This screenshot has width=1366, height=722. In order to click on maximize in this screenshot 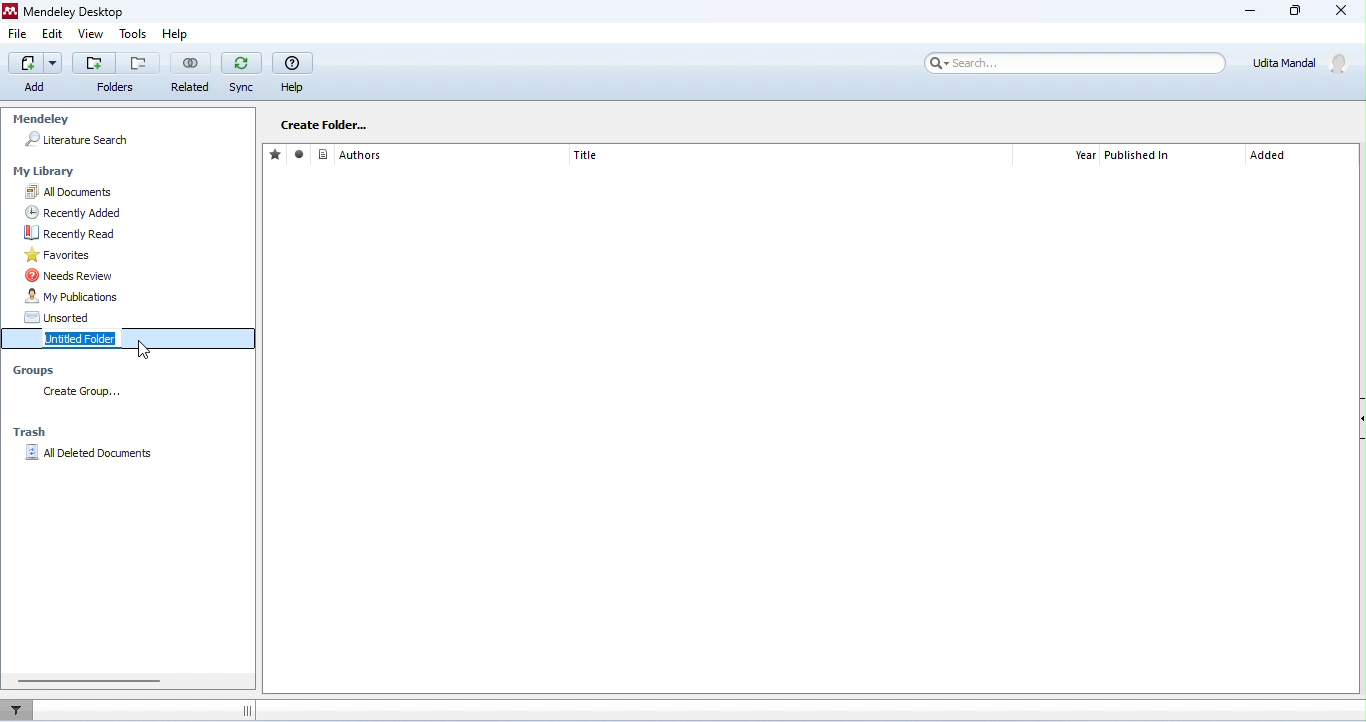, I will do `click(1293, 11)`.